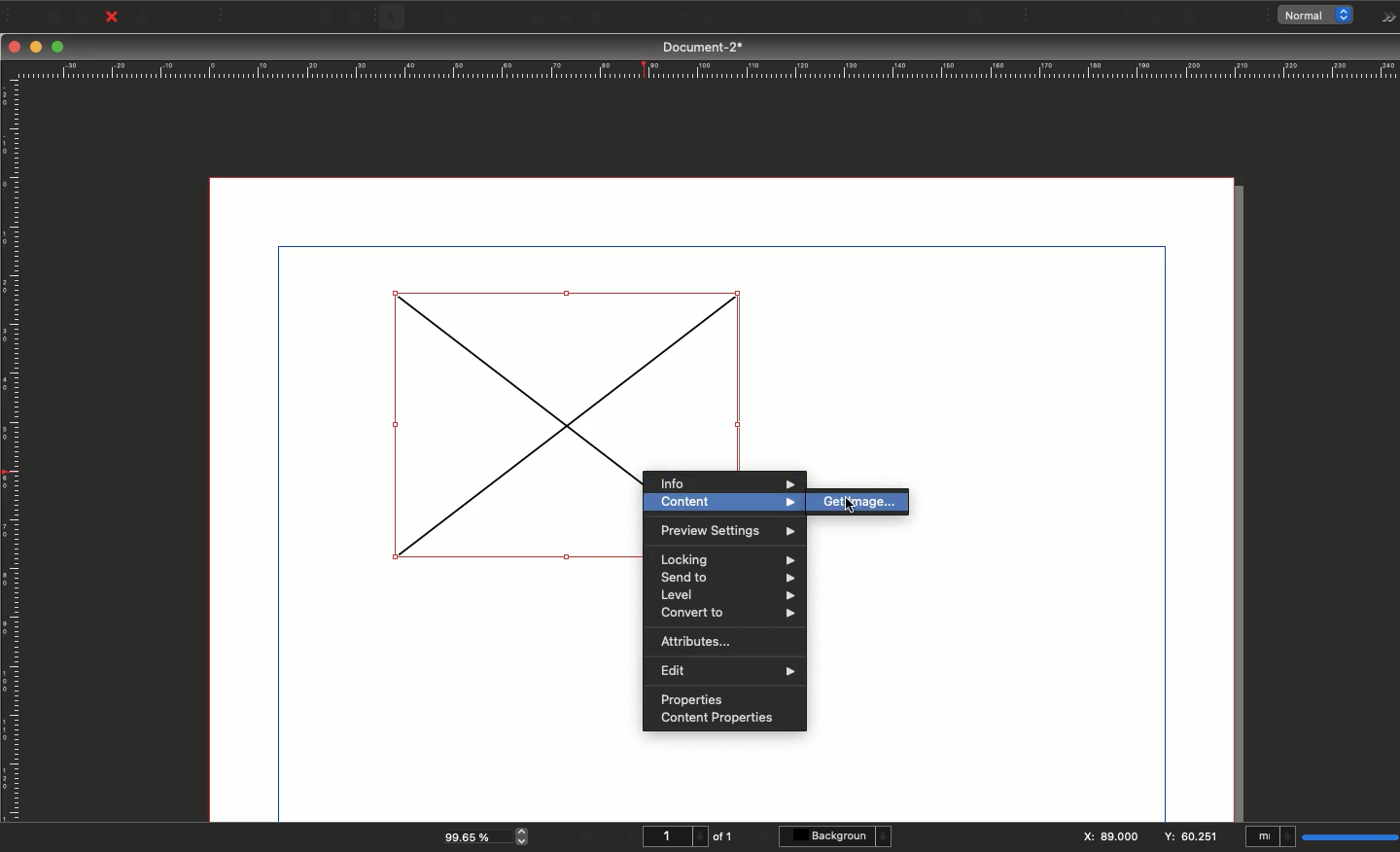 The width and height of the screenshot is (1400, 852). I want to click on Zoom in or out, so click(773, 19).